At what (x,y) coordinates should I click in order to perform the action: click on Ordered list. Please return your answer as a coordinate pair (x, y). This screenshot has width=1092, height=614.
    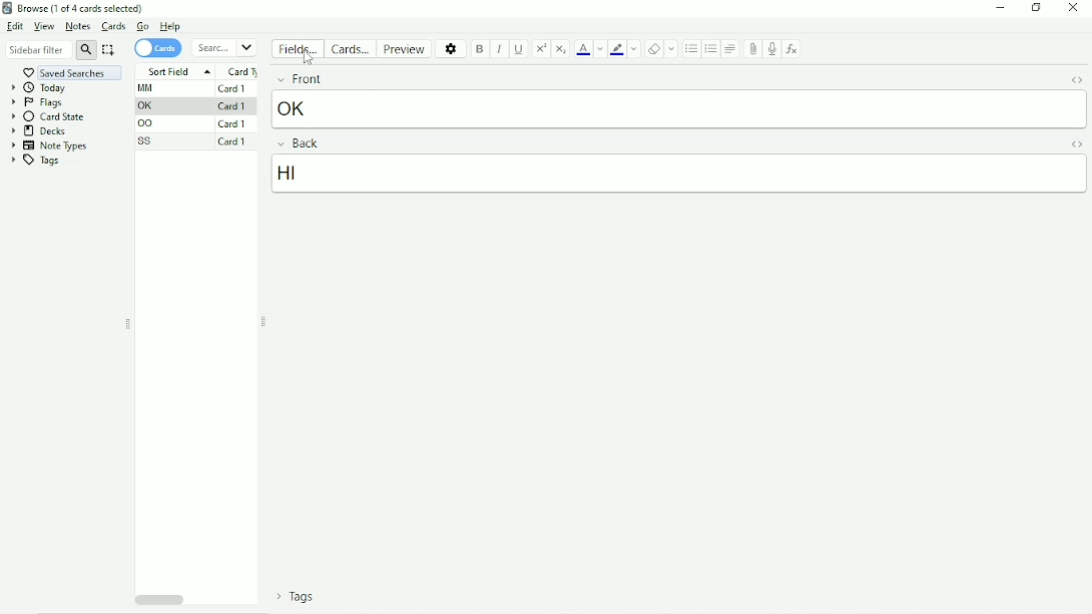
    Looking at the image, I should click on (711, 49).